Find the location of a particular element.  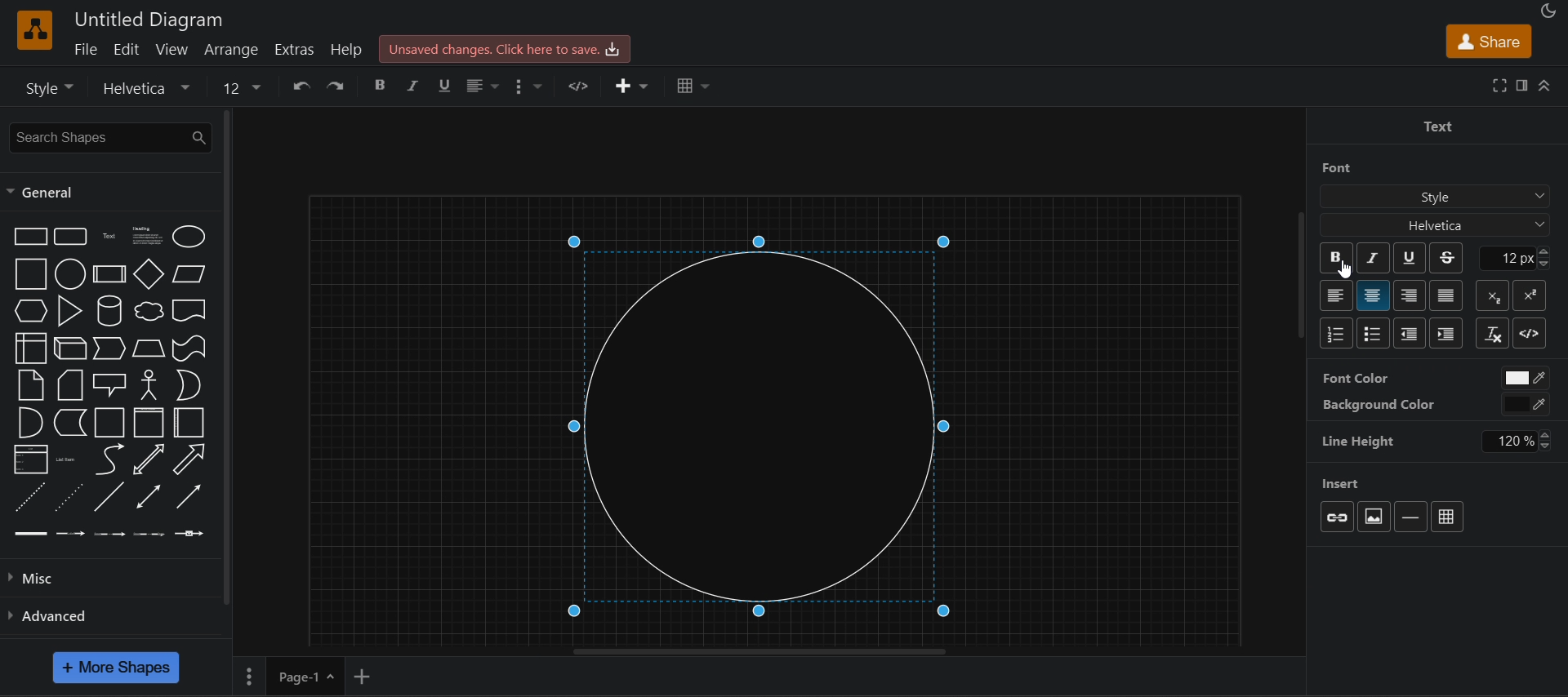

document is located at coordinates (192, 309).